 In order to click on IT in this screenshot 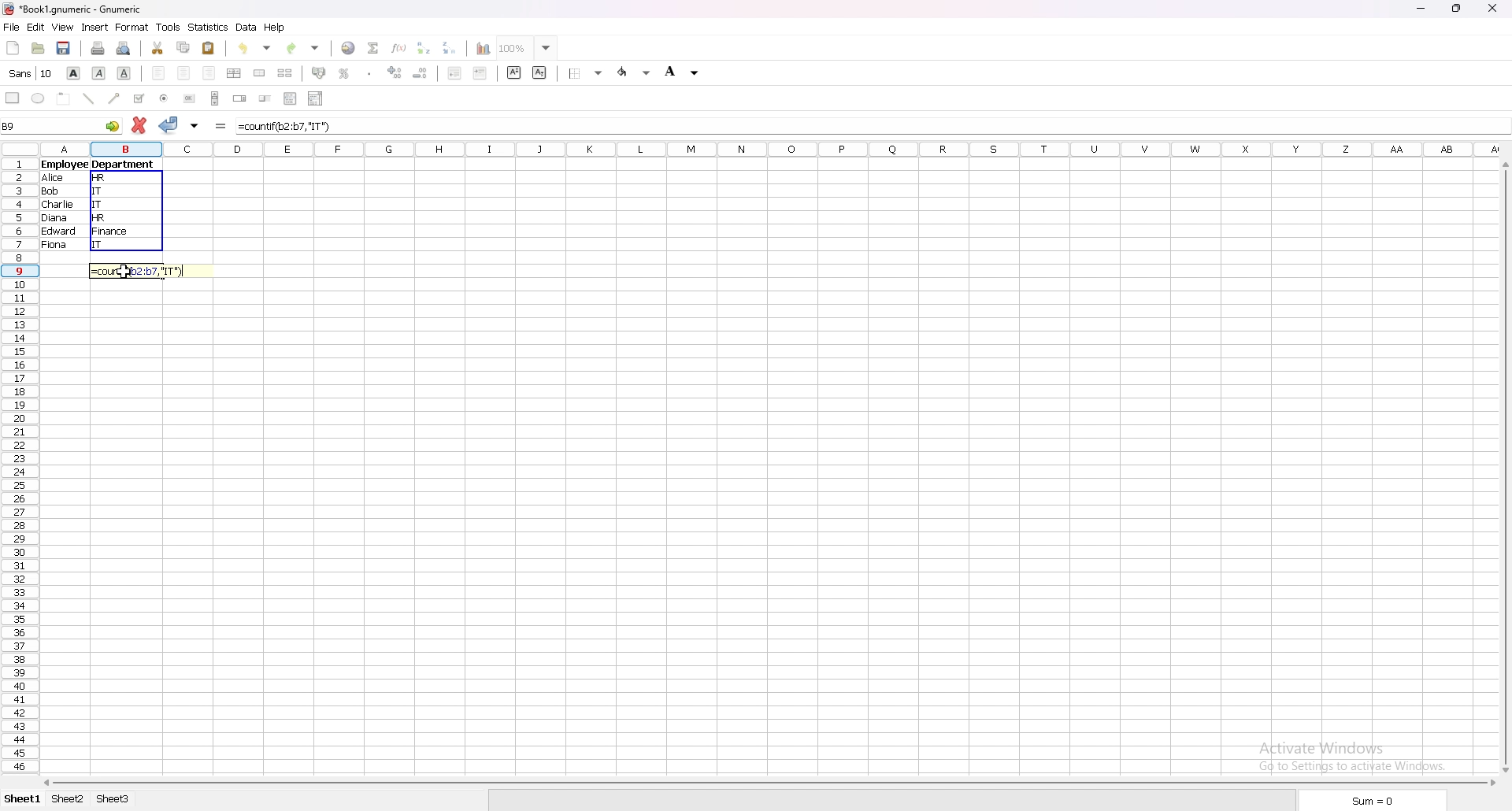, I will do `click(99, 191)`.